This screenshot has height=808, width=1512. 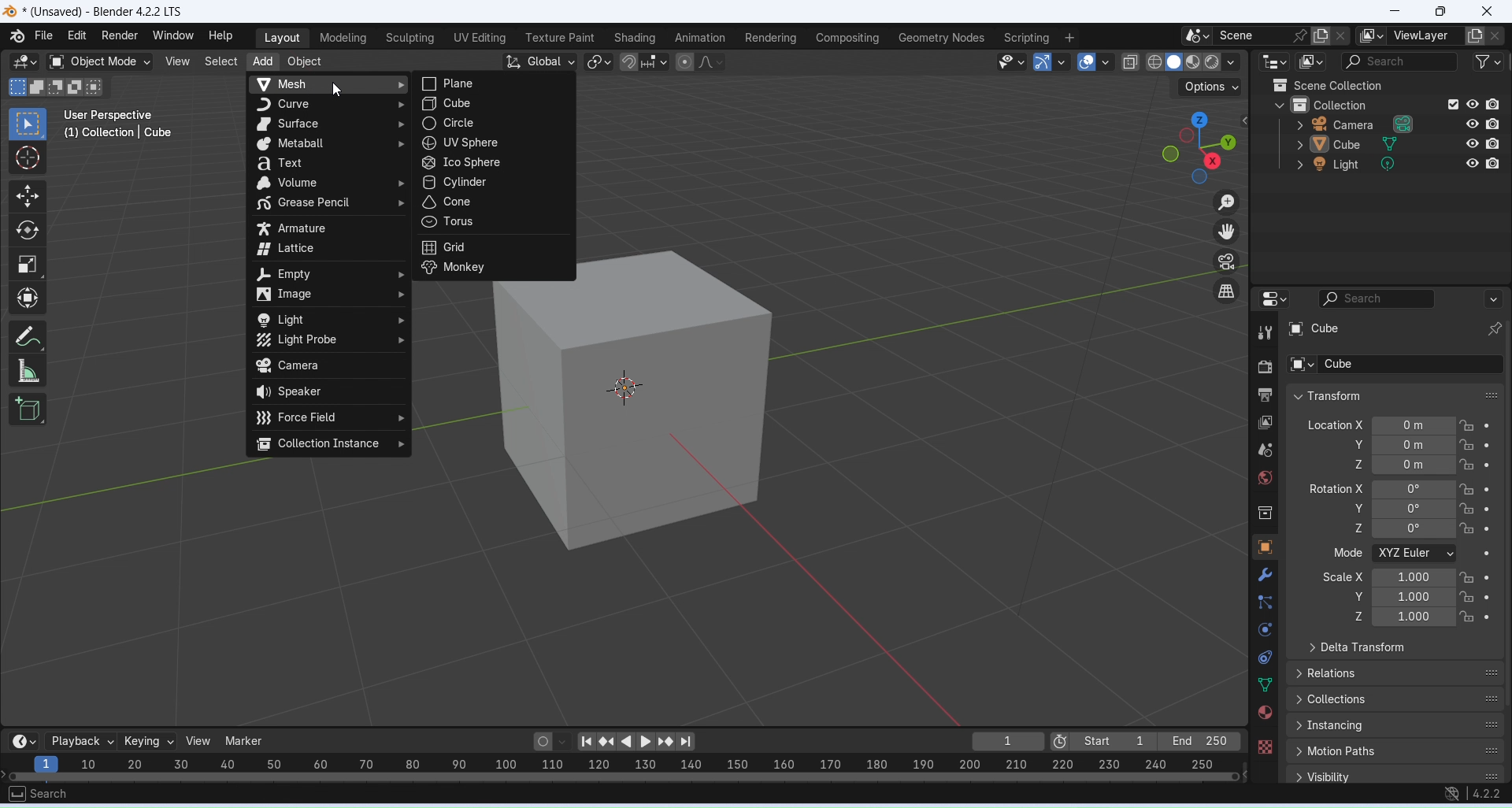 I want to click on Maximize, so click(x=1439, y=11).